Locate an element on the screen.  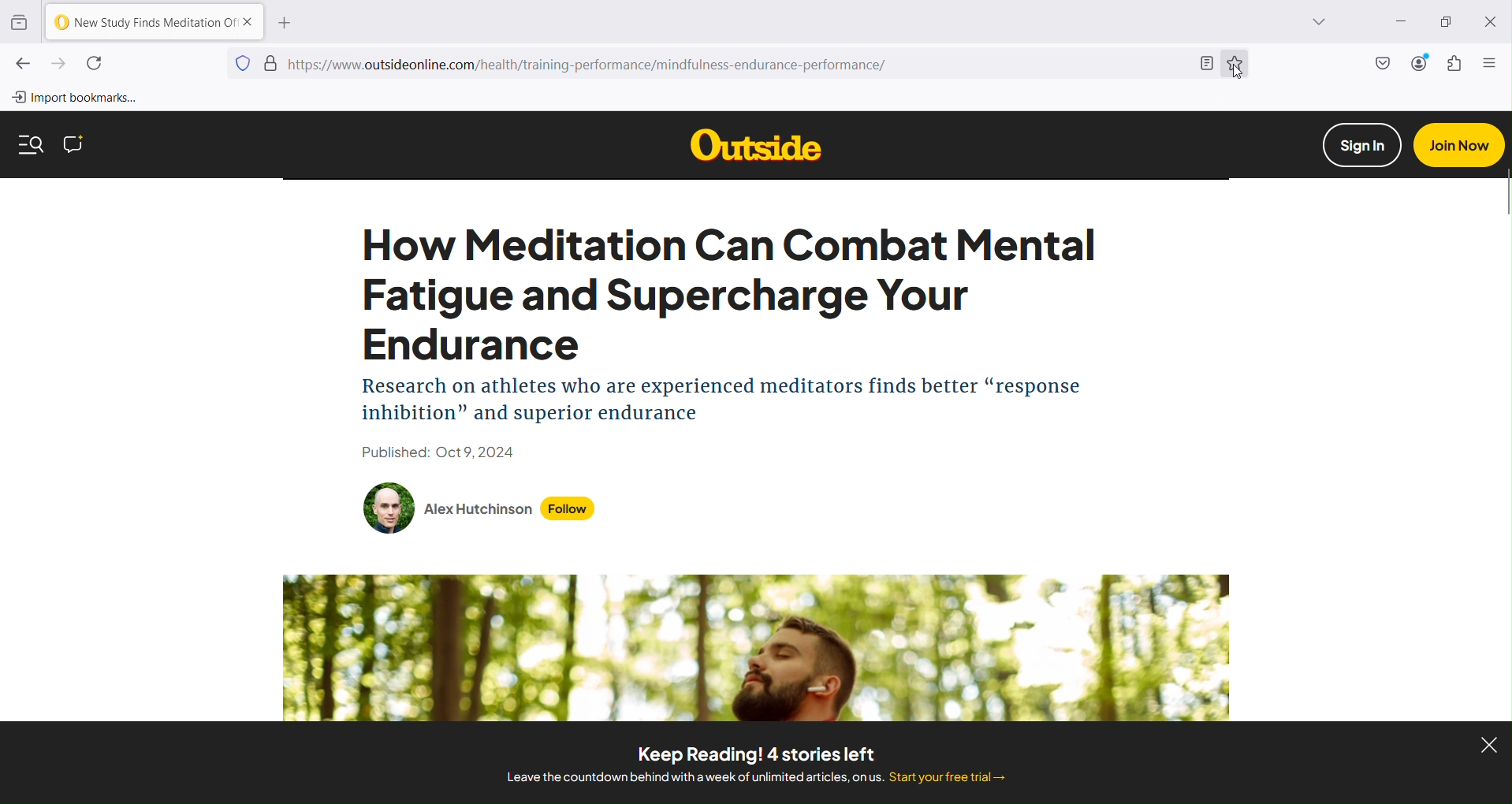
 is located at coordinates (755, 144).